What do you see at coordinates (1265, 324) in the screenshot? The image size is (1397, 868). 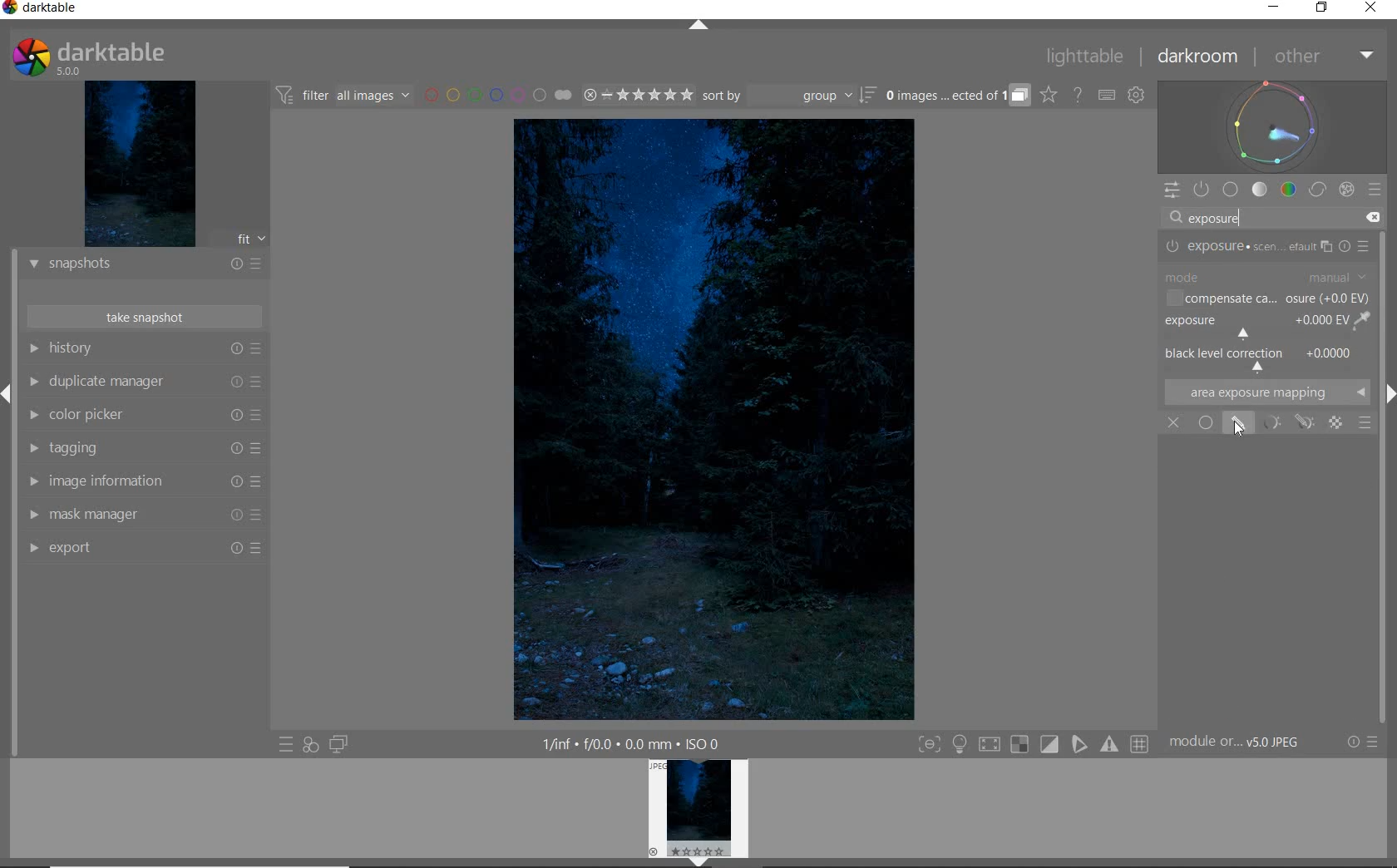 I see `EXPOSURE` at bounding box center [1265, 324].